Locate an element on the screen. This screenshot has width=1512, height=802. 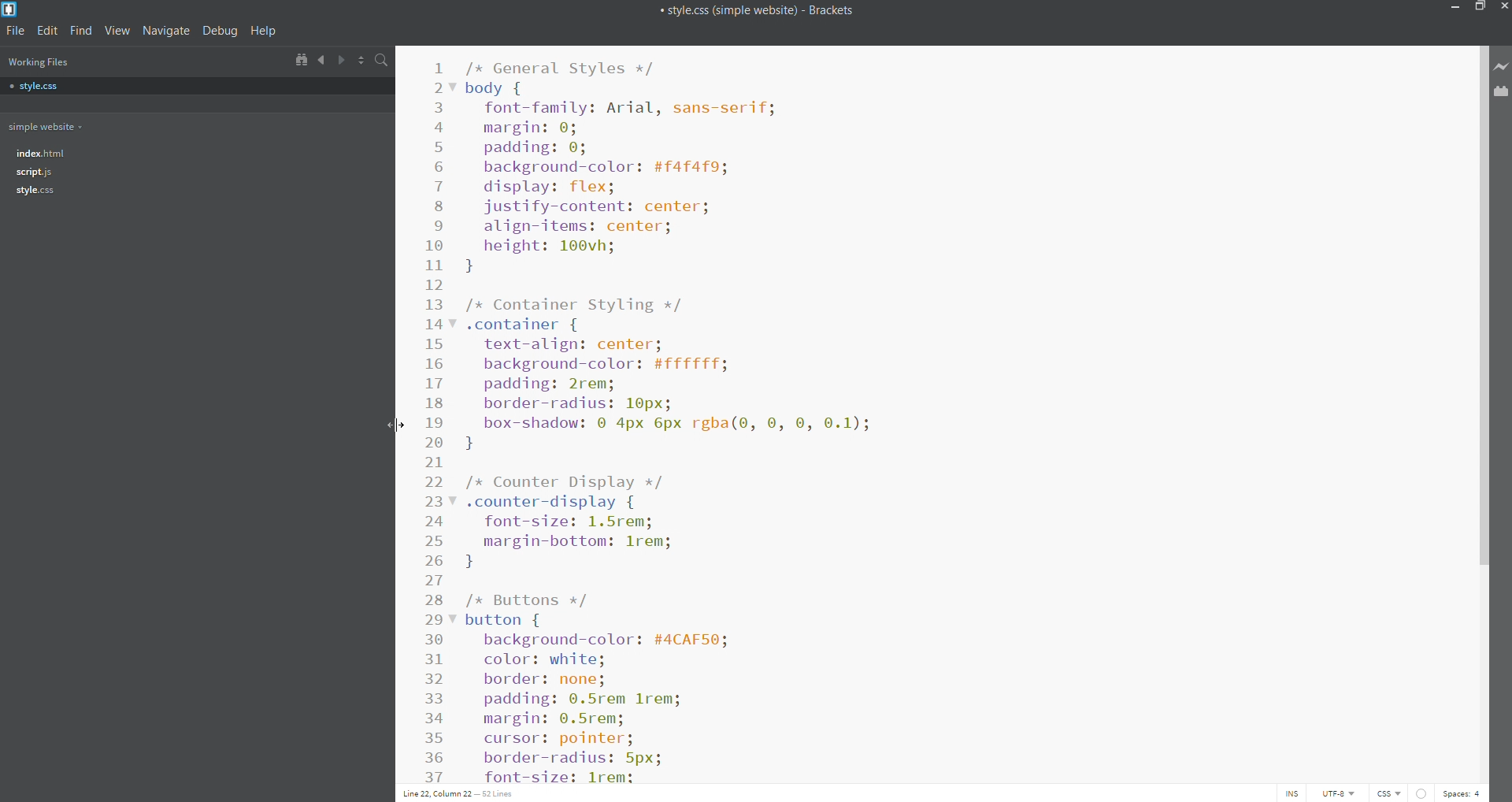
help is located at coordinates (263, 31).